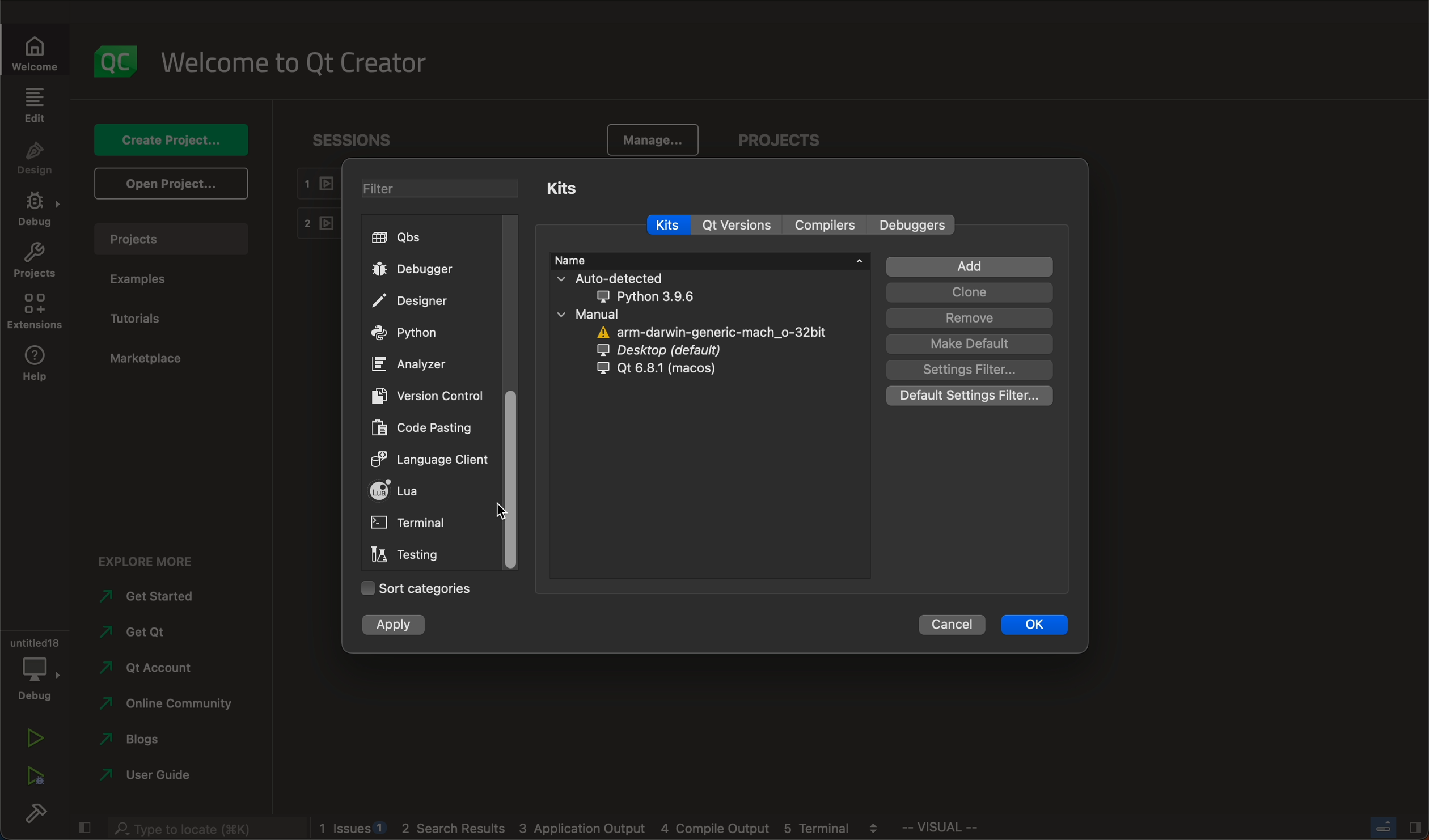  Describe the element at coordinates (708, 333) in the screenshot. I see `arm darwin` at that location.